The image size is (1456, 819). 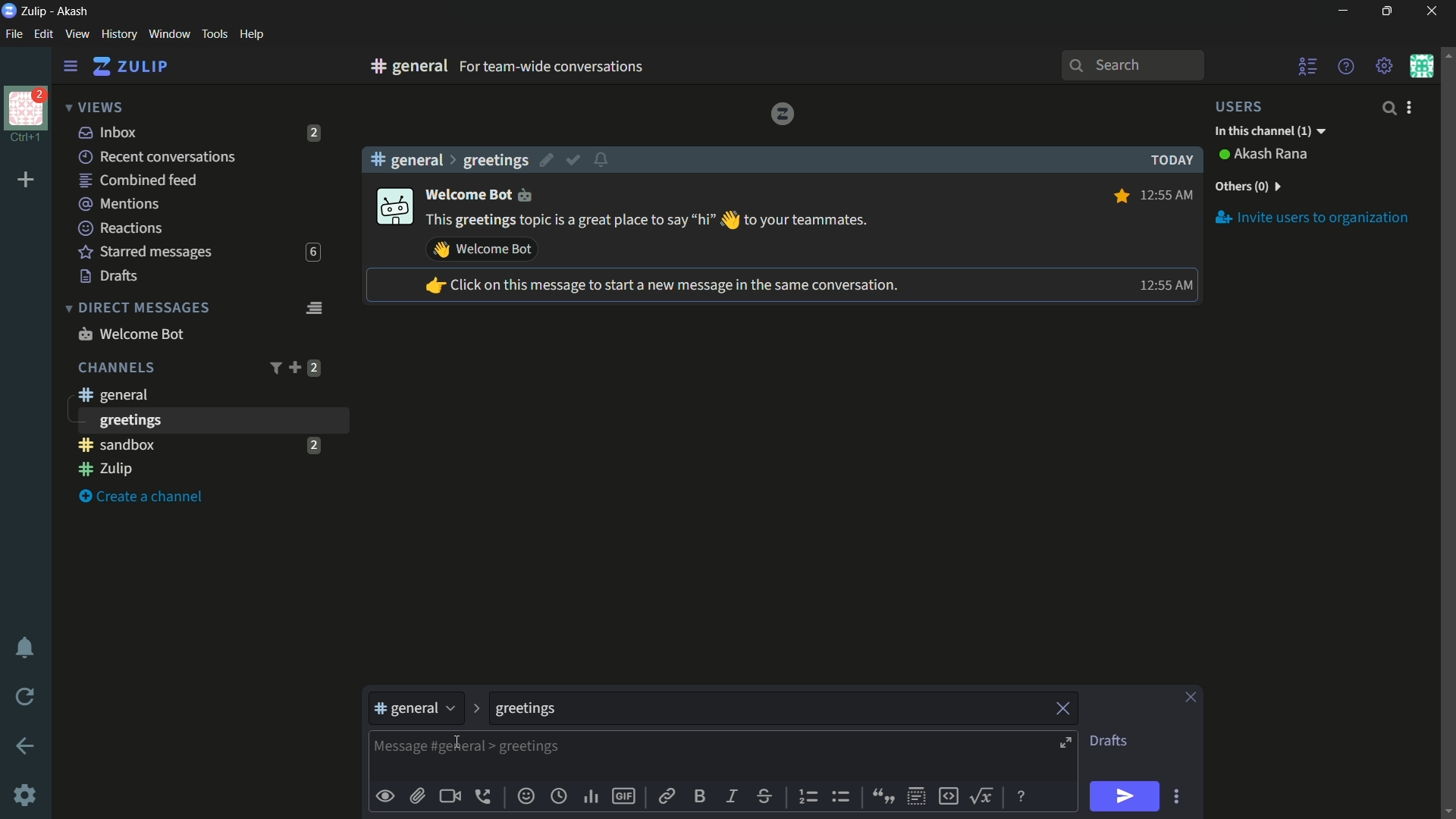 What do you see at coordinates (782, 113) in the screenshot?
I see `Zulip logo` at bounding box center [782, 113].